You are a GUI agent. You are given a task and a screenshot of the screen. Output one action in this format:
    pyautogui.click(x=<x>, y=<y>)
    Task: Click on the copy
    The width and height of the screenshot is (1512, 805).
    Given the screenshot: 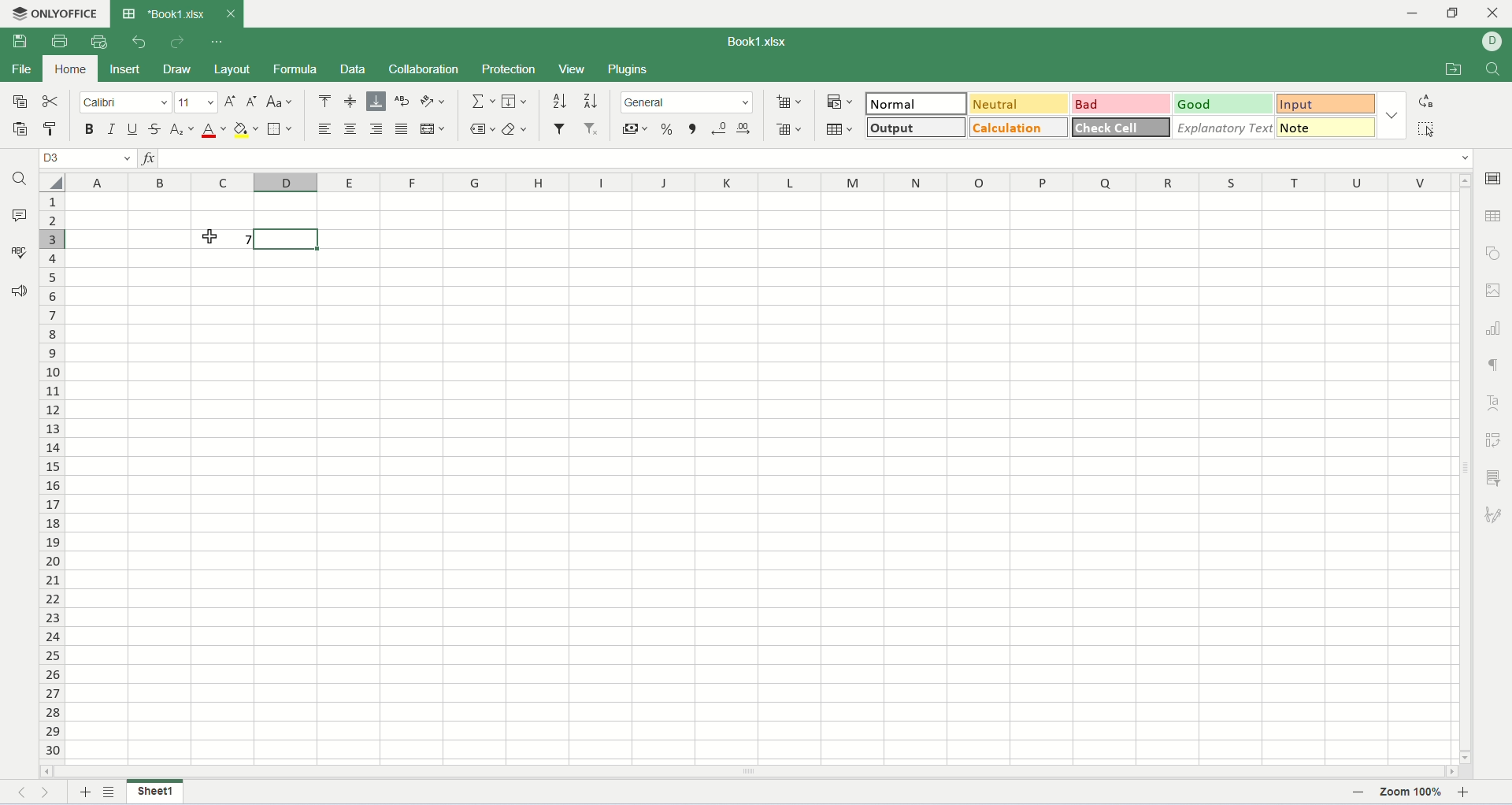 What is the action you would take?
    pyautogui.click(x=16, y=100)
    